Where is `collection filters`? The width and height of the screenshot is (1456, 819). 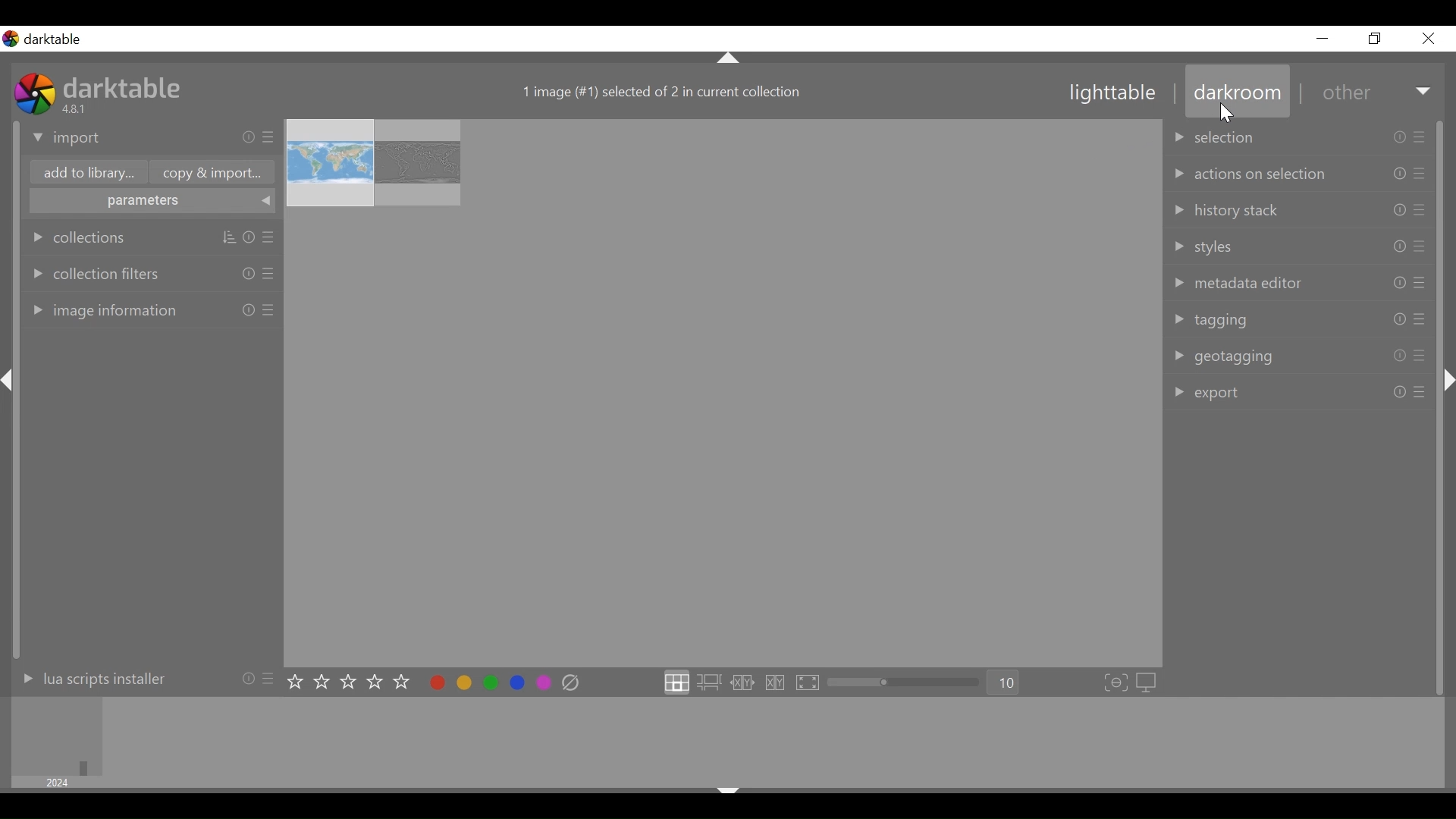
collection filters is located at coordinates (152, 274).